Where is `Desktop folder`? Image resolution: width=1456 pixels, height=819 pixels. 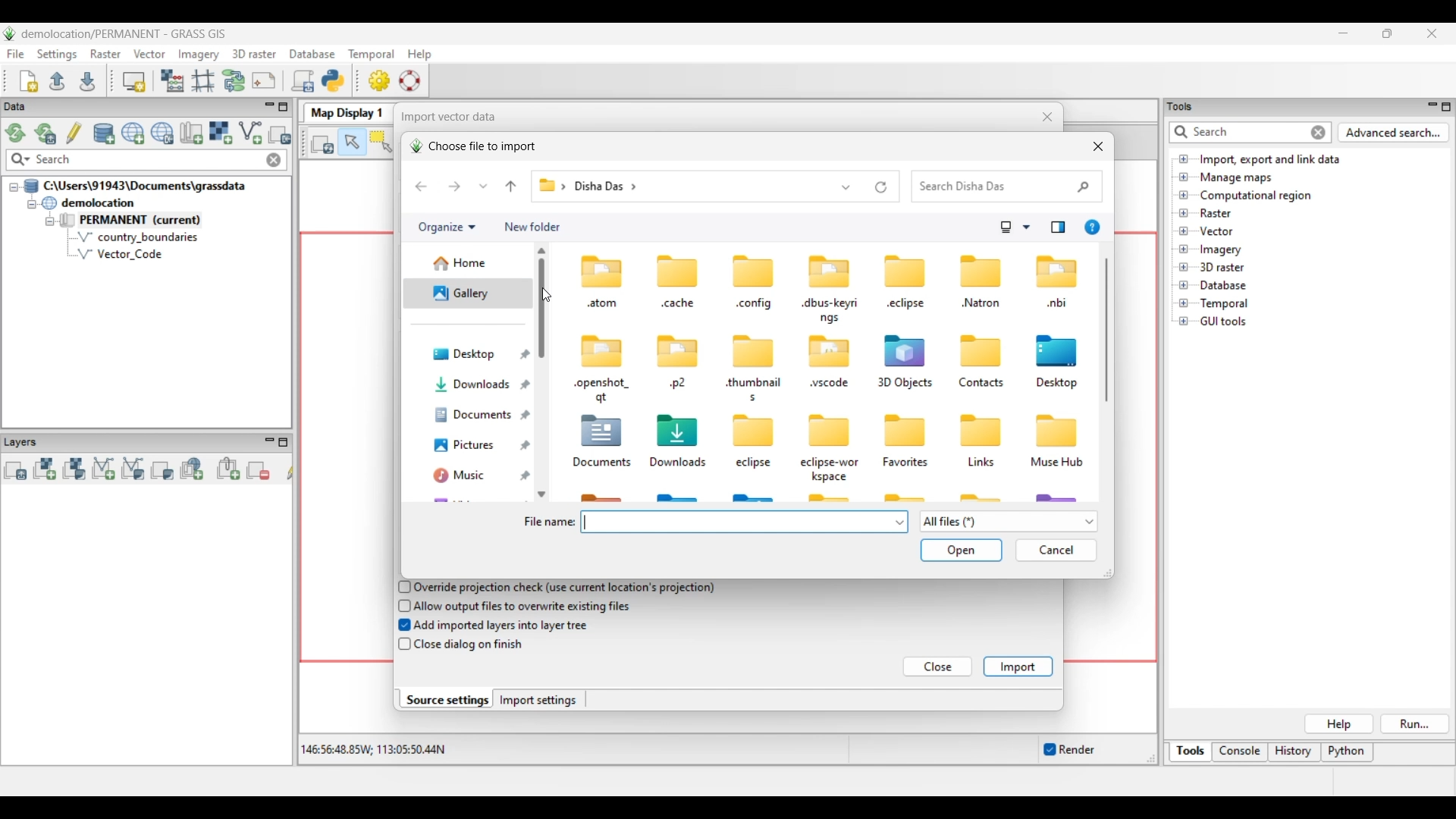 Desktop folder is located at coordinates (469, 356).